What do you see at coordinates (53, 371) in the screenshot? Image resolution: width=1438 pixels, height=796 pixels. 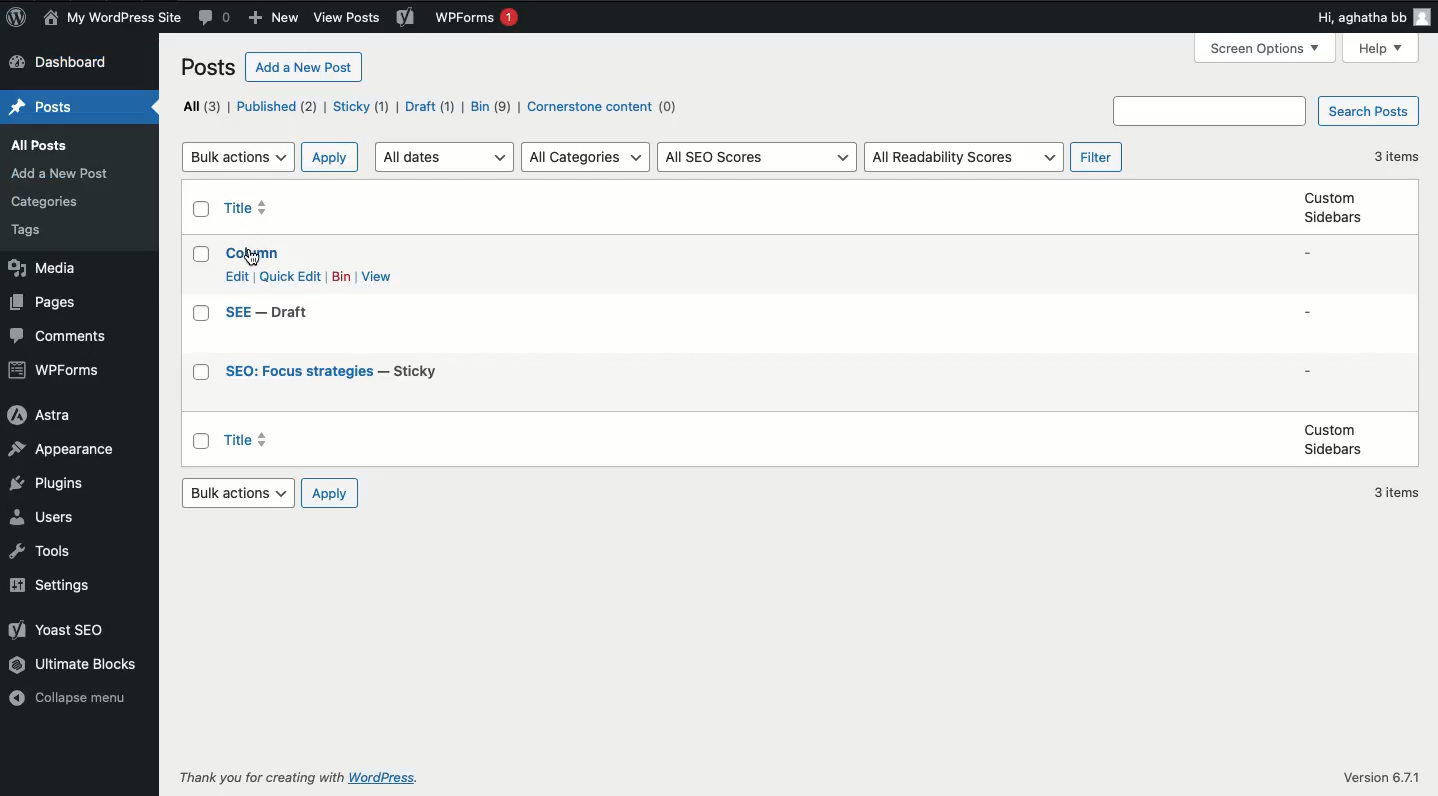 I see `WPForms` at bounding box center [53, 371].